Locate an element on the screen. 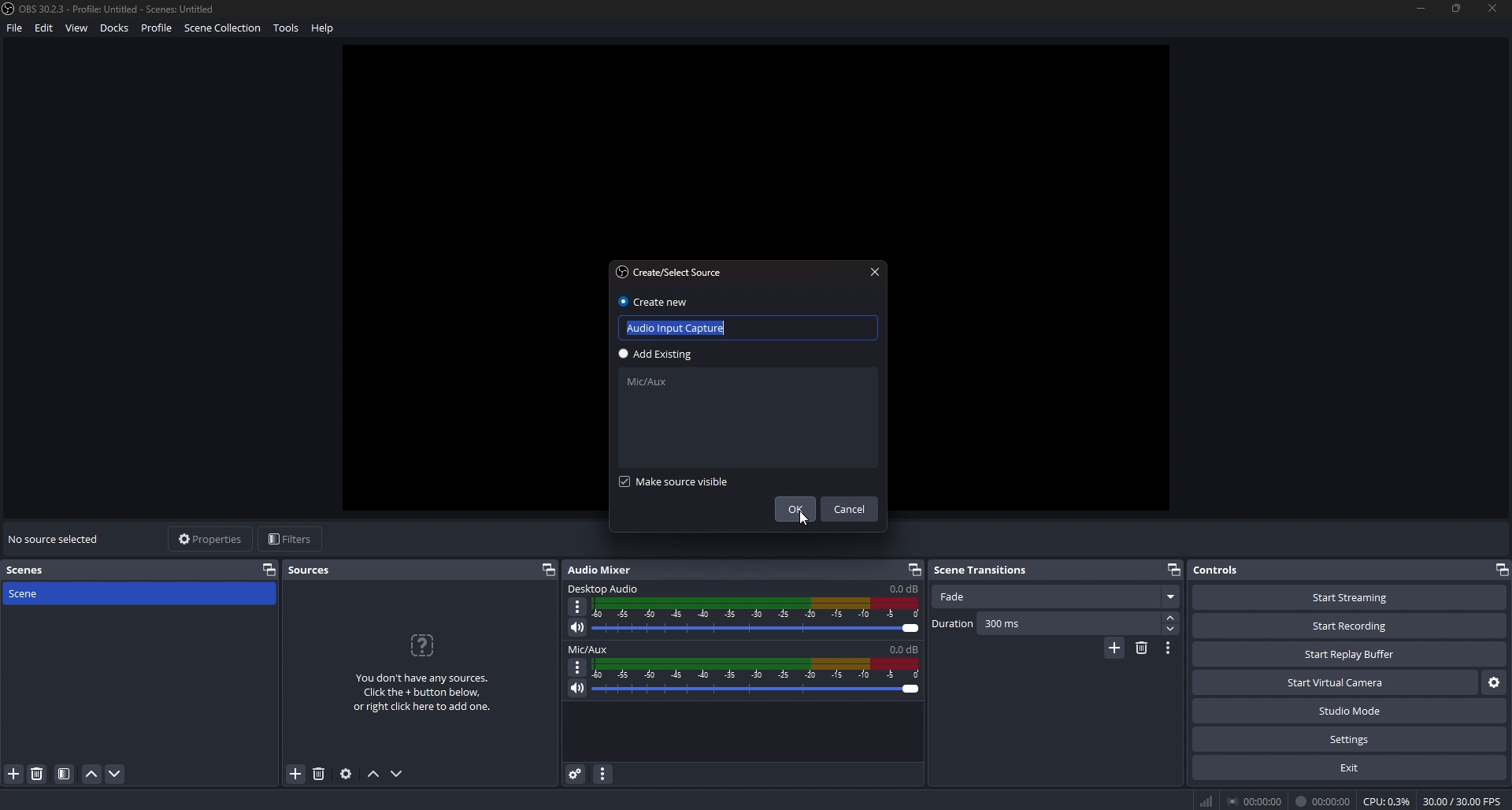 The image size is (1512, 810). file name is located at coordinates (111, 9).